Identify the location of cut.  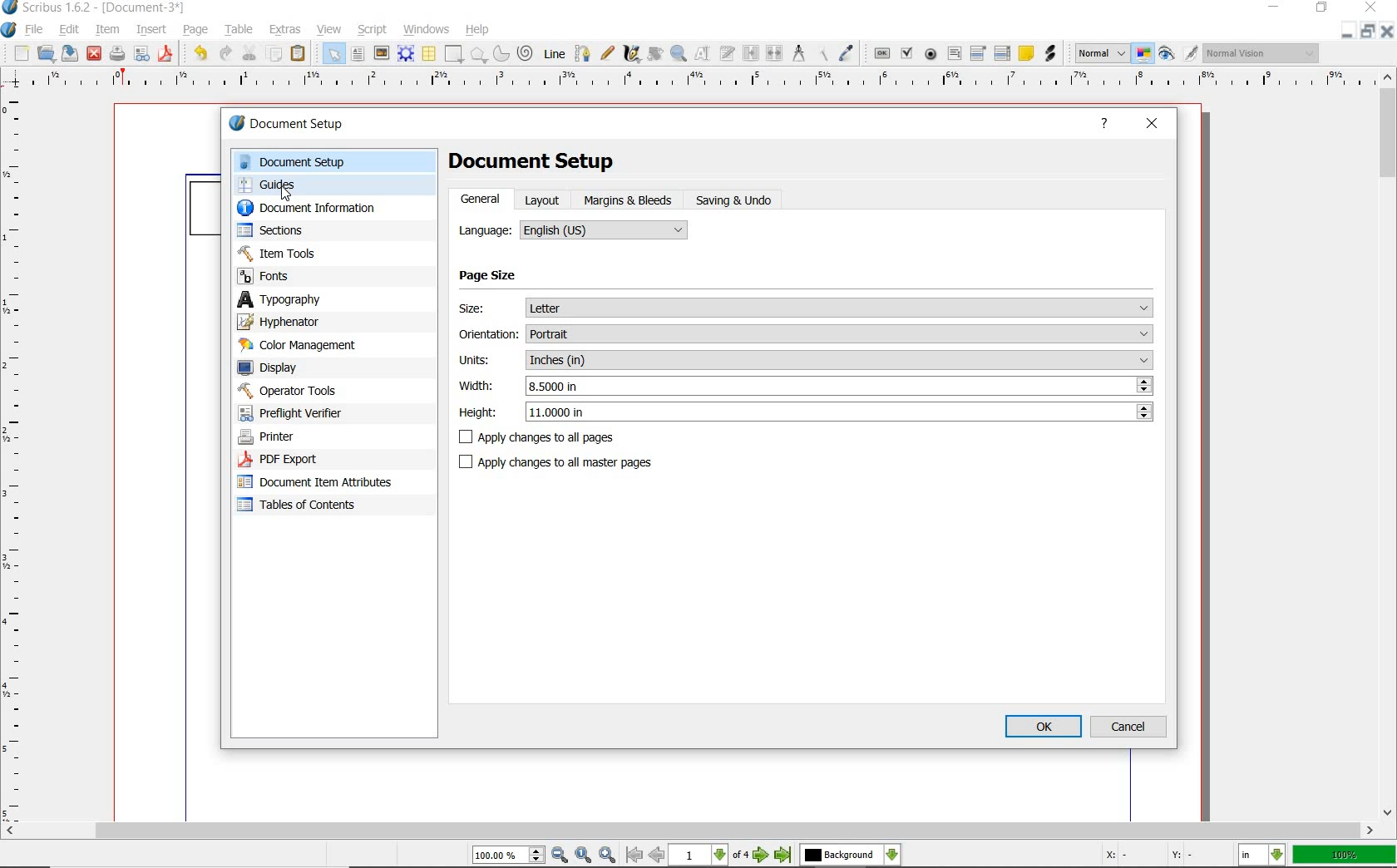
(249, 53).